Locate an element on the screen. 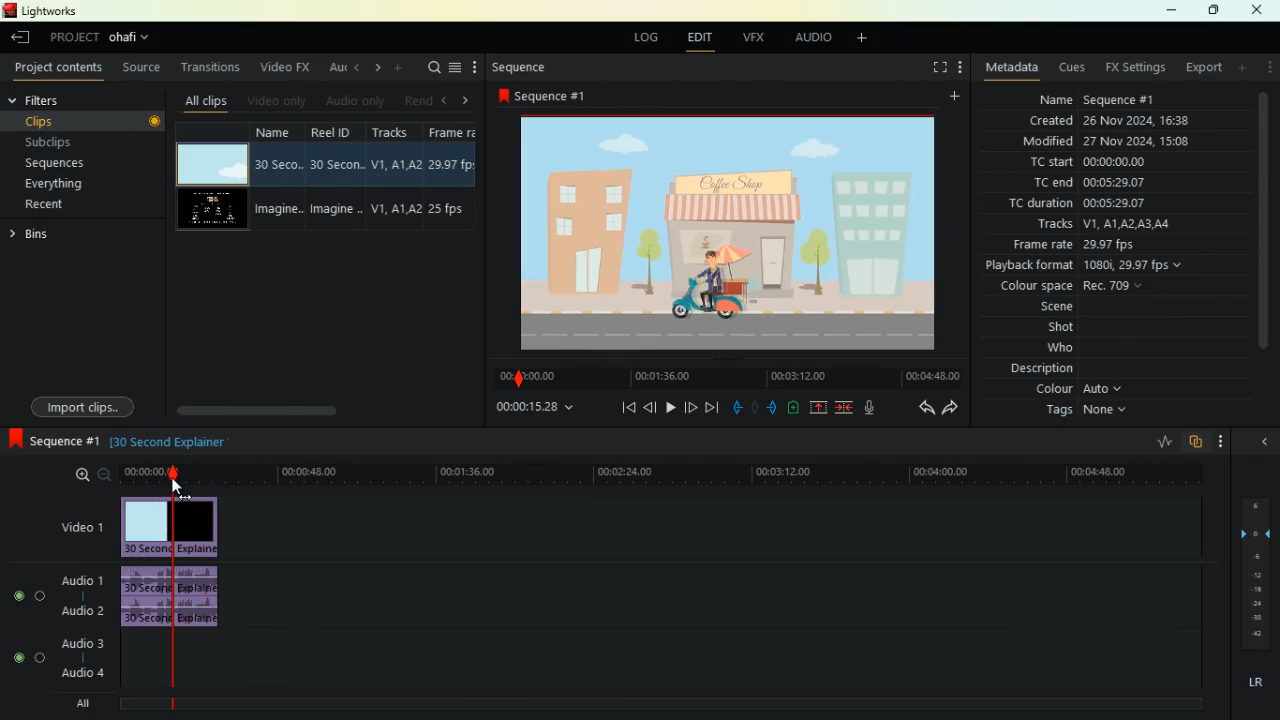 This screenshot has height=720, width=1280. scene is located at coordinates (1044, 307).